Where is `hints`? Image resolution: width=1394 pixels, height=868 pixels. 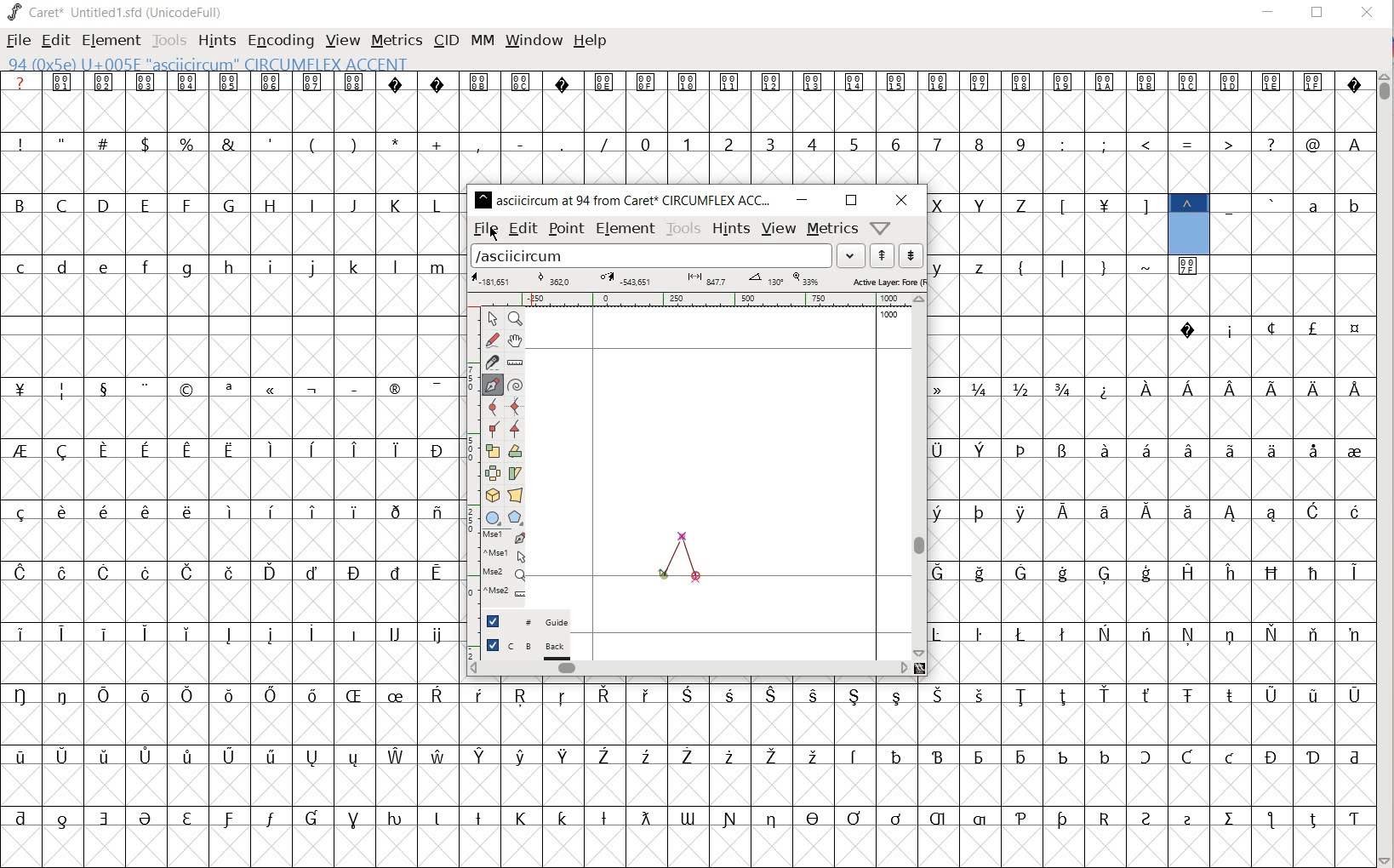 hints is located at coordinates (732, 229).